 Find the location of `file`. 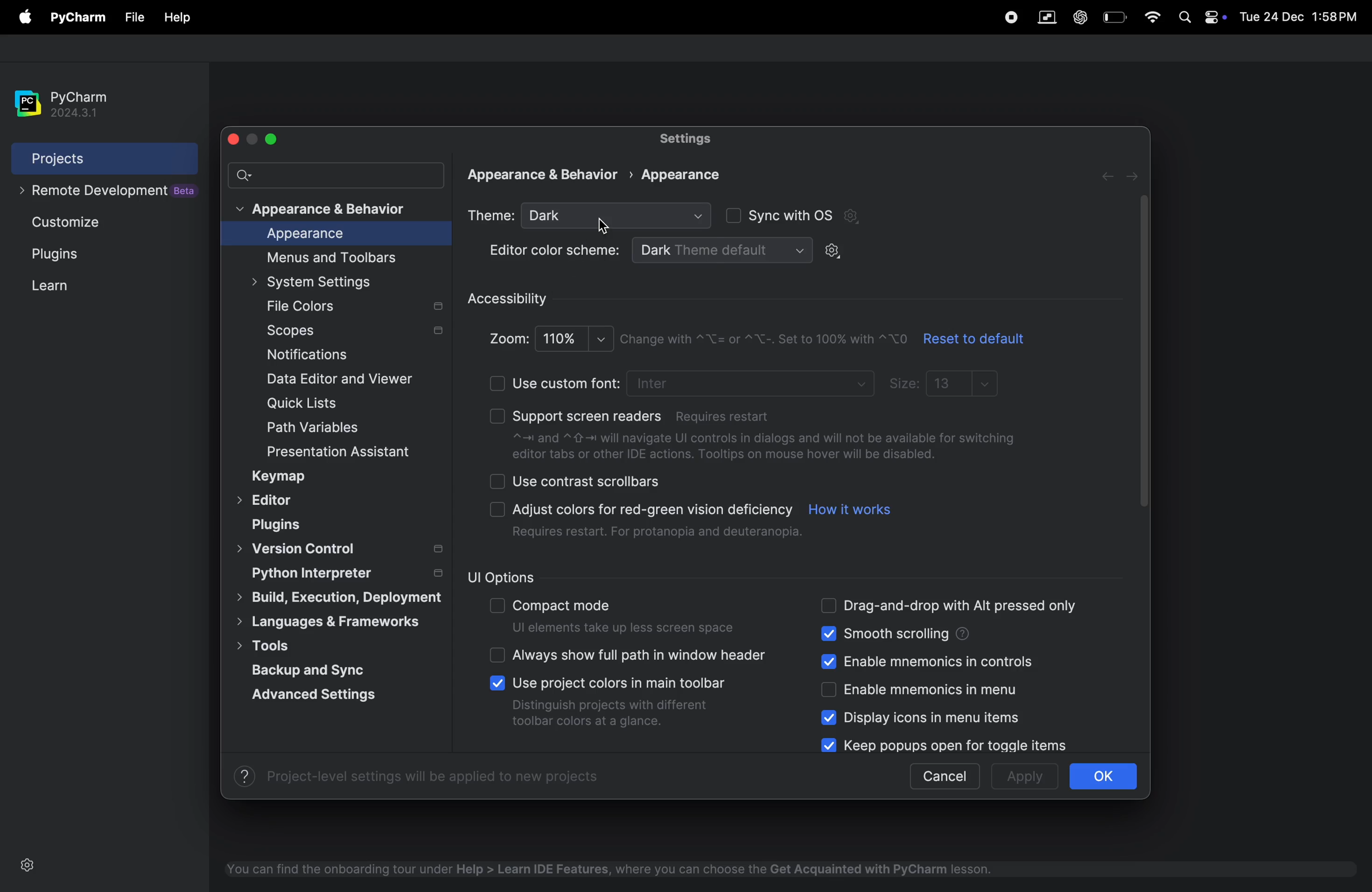

file is located at coordinates (177, 18).